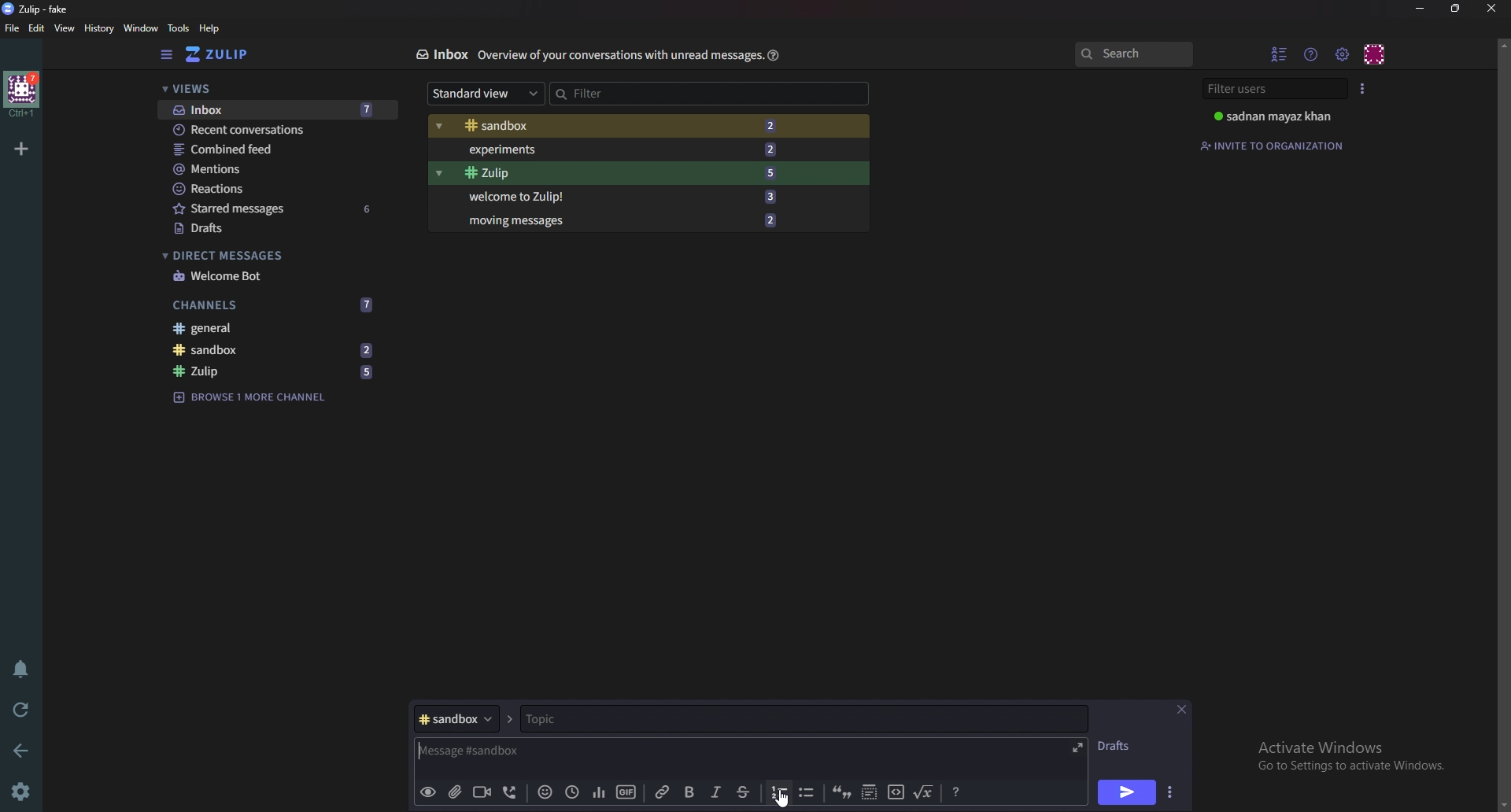  What do you see at coordinates (279, 149) in the screenshot?
I see `Combine feed` at bounding box center [279, 149].